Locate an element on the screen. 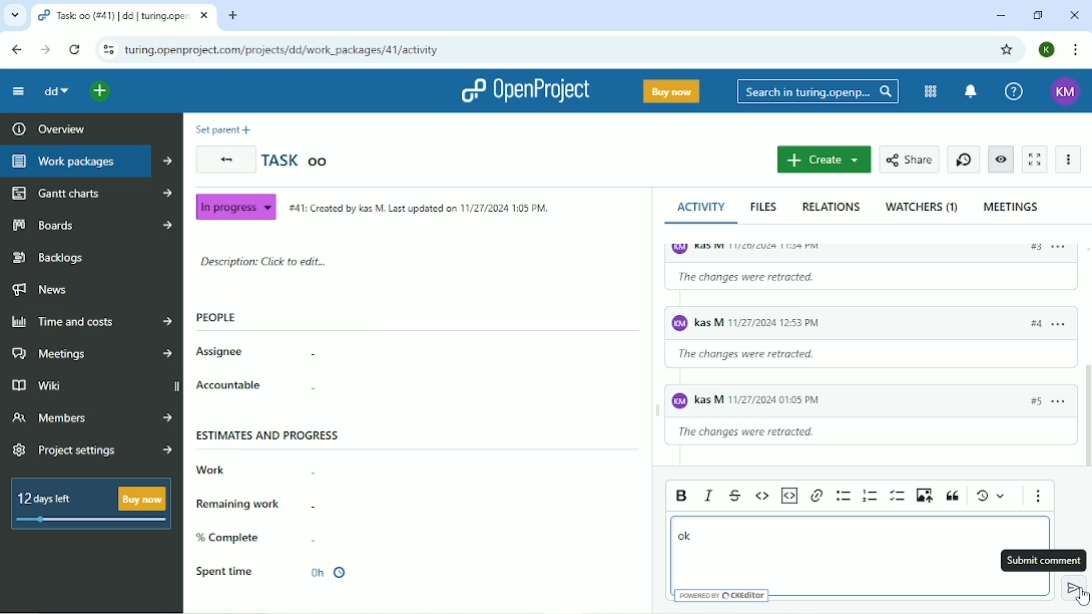  The changes were retracted is located at coordinates (761, 435).